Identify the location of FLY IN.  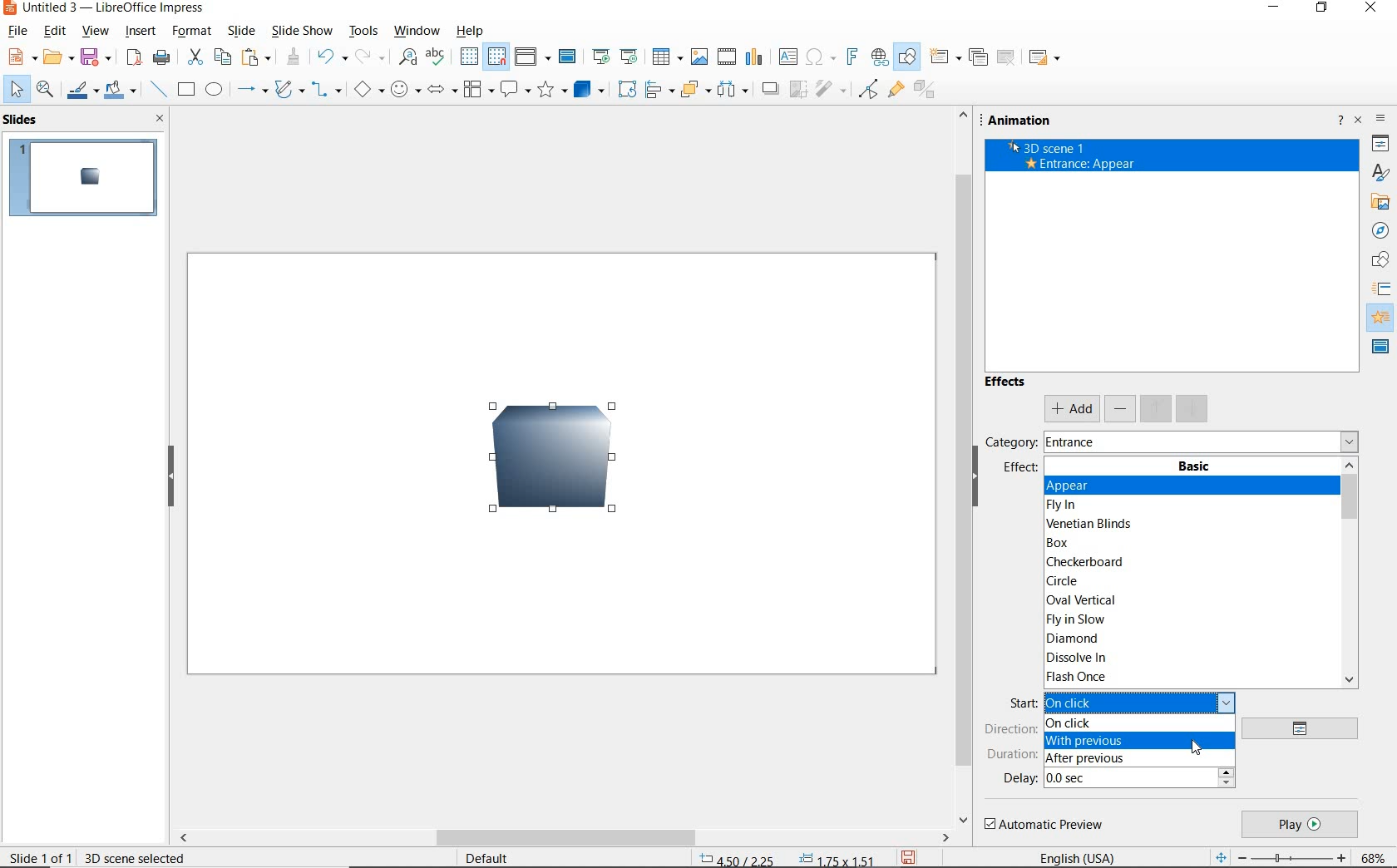
(1065, 506).